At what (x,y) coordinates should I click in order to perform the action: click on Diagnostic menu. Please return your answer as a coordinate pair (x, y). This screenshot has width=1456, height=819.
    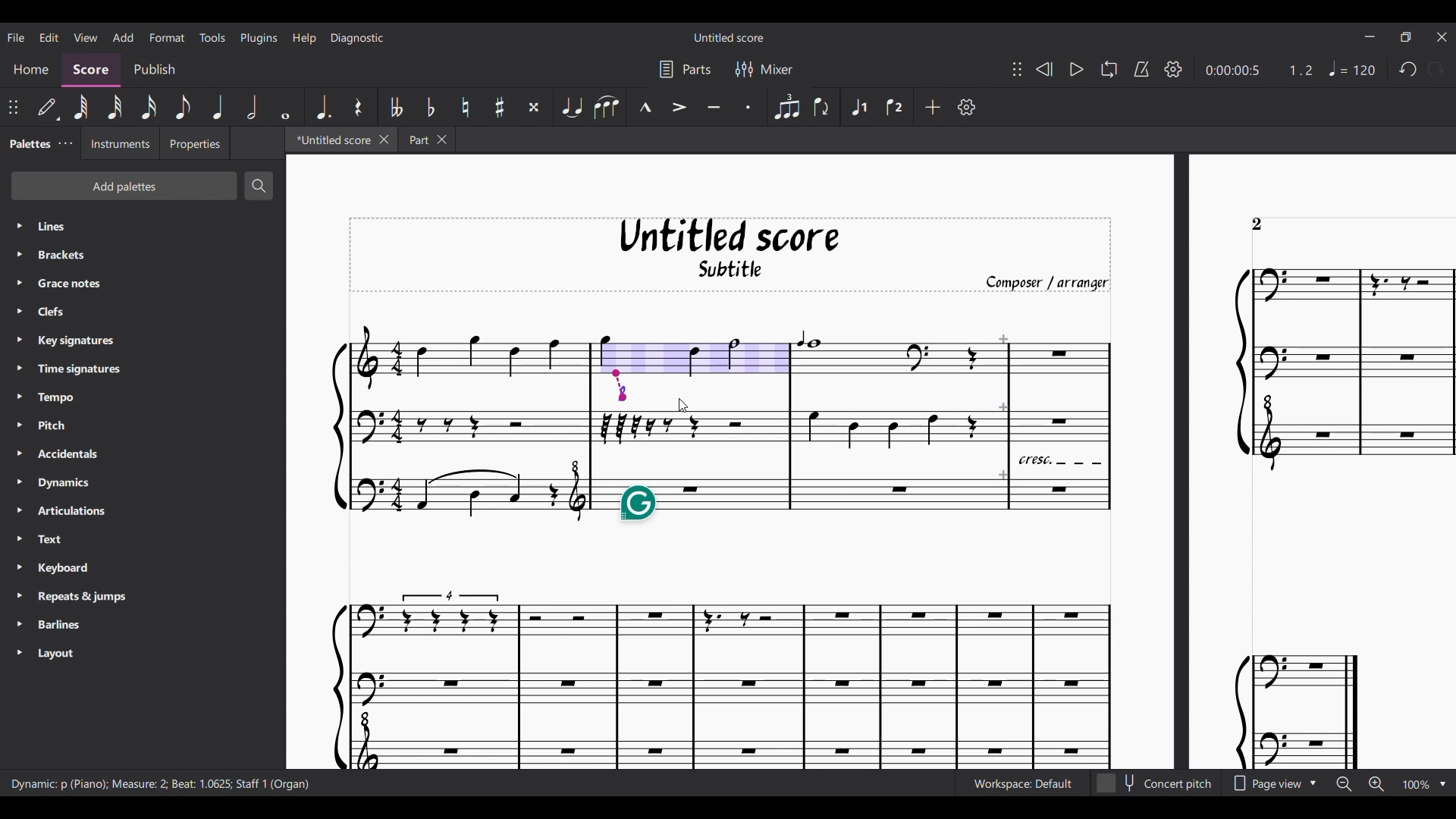
    Looking at the image, I should click on (357, 38).